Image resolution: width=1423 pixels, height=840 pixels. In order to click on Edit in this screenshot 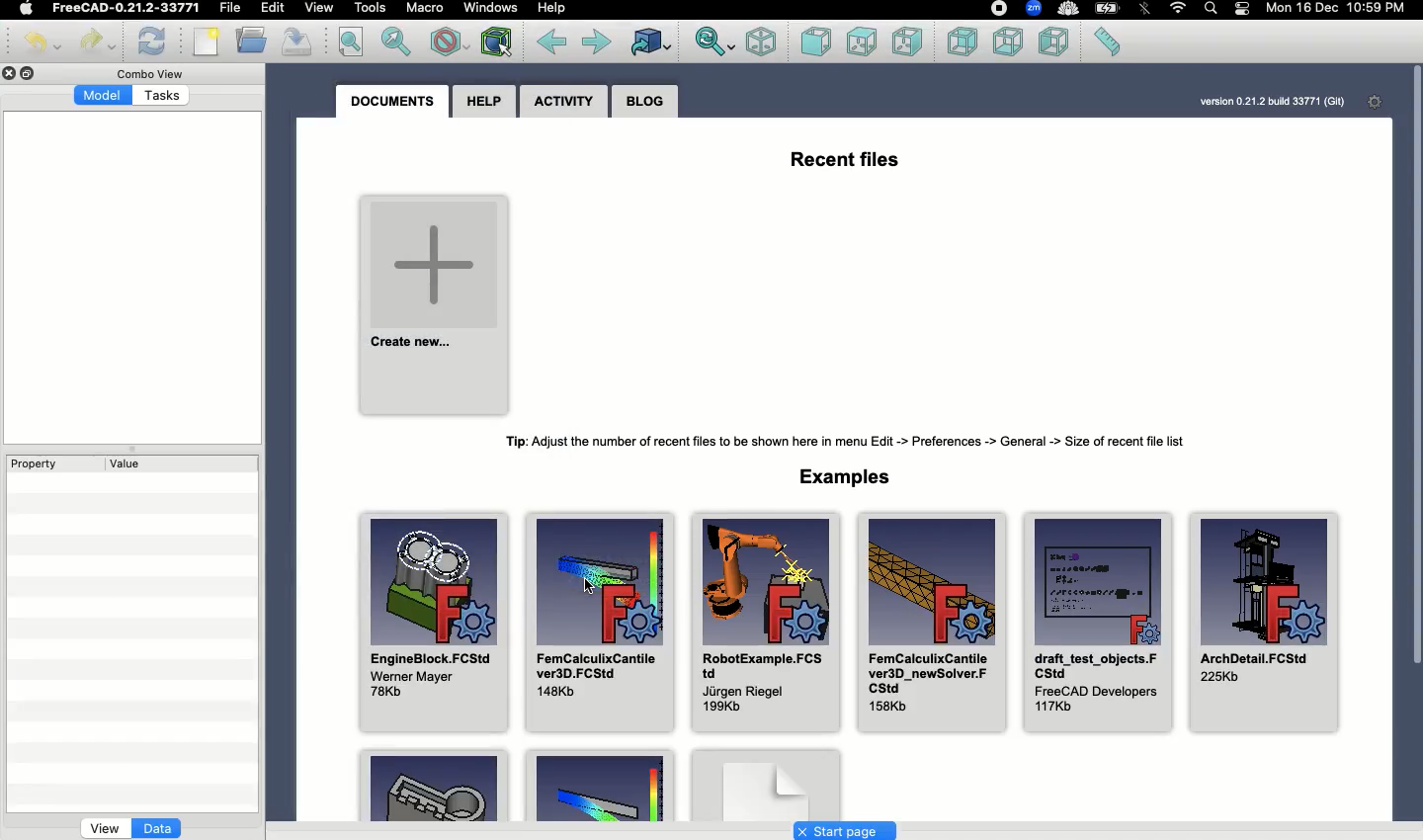, I will do `click(275, 10)`.